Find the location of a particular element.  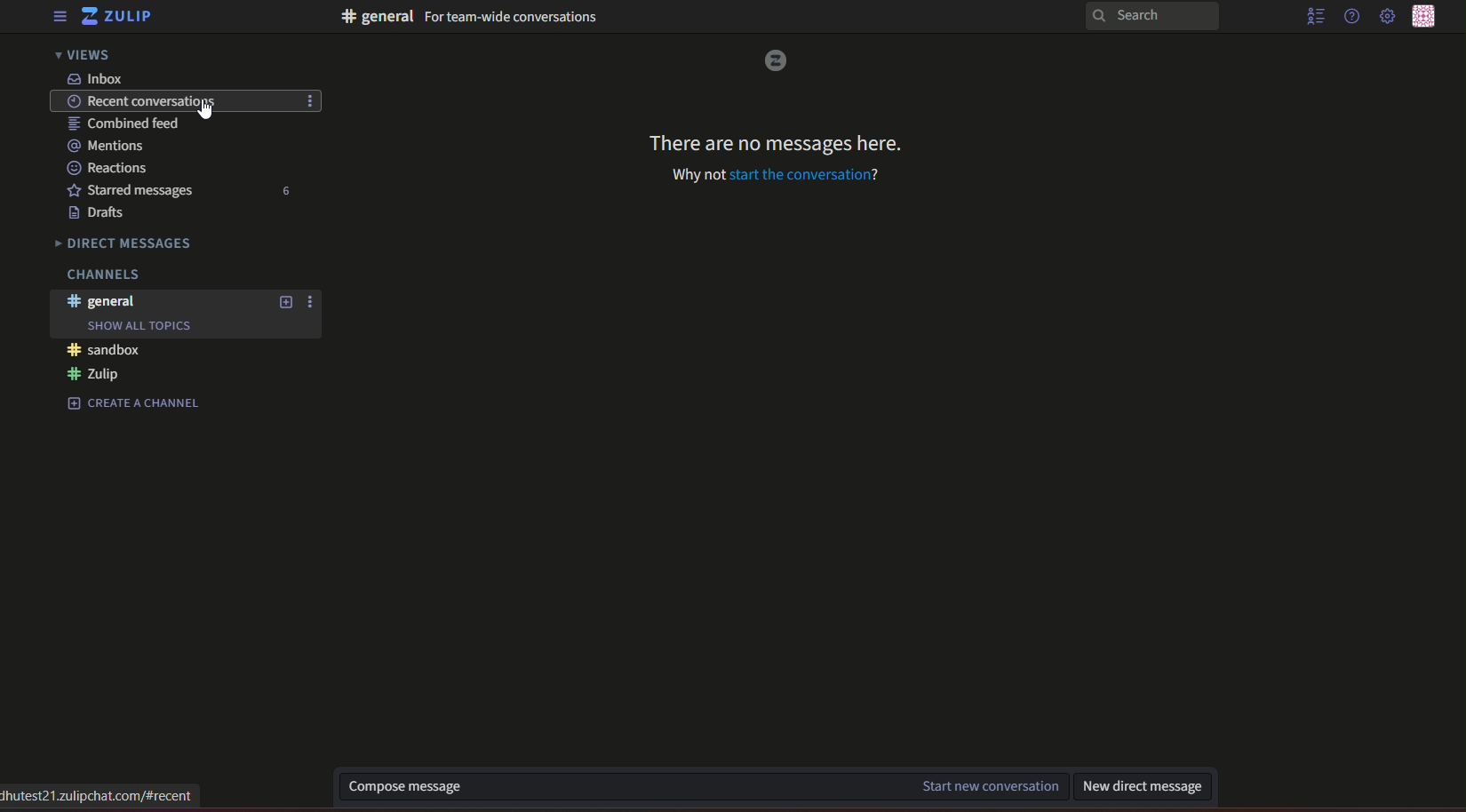

drafts is located at coordinates (106, 211).